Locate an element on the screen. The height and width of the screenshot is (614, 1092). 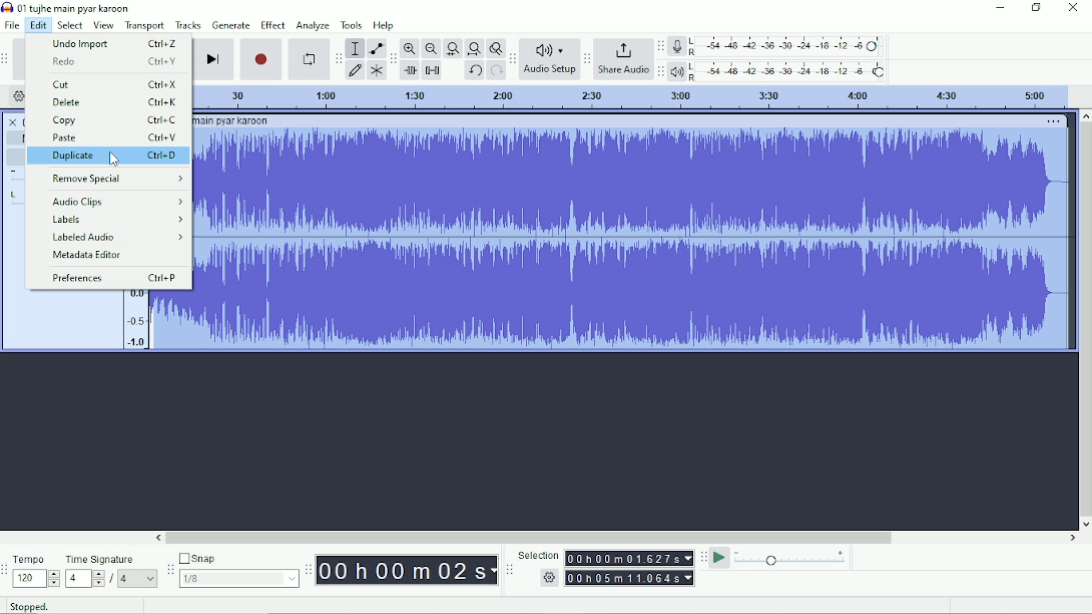
Silence audio selection is located at coordinates (433, 71).